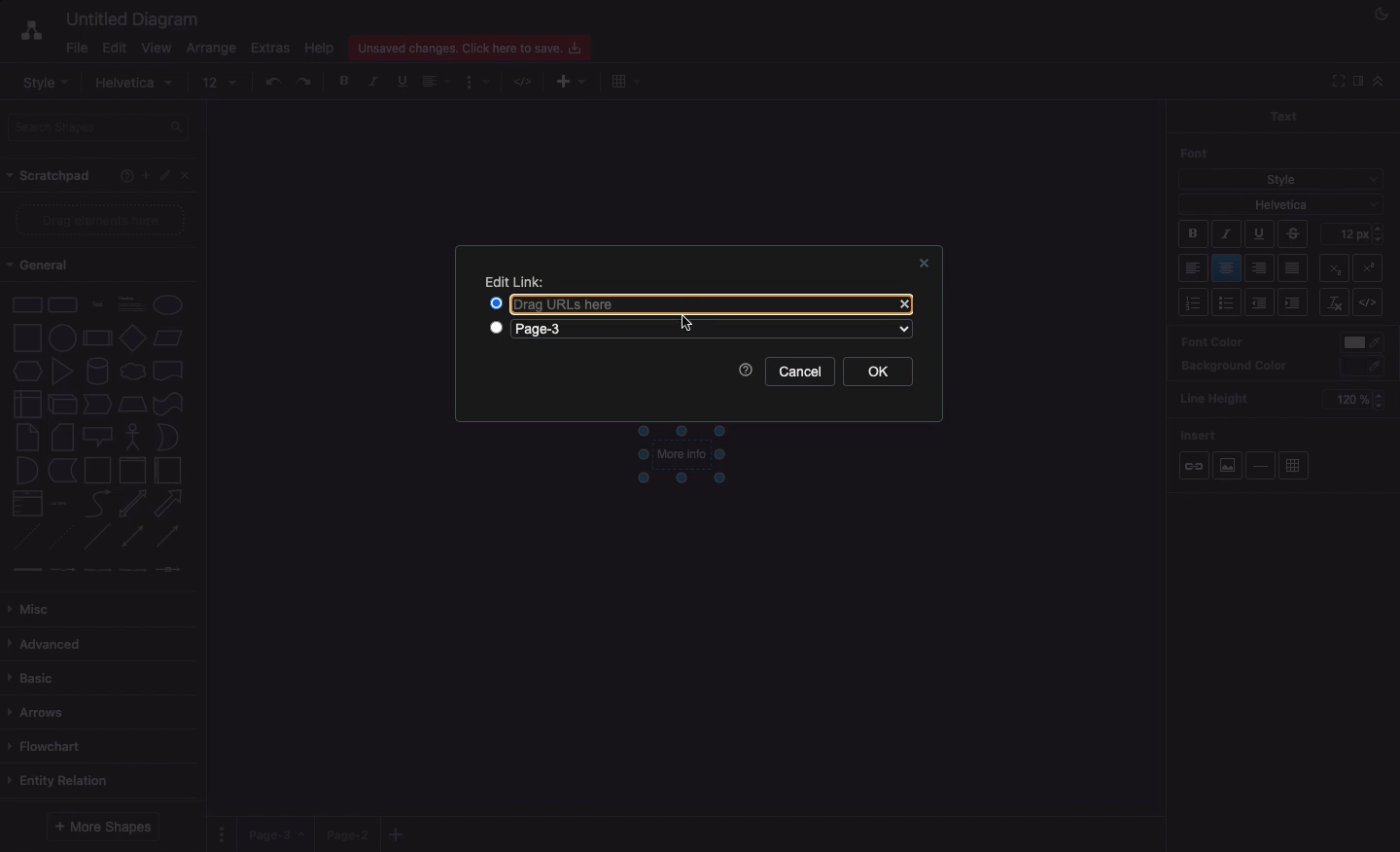 This screenshot has width=1400, height=852. I want to click on color, so click(1363, 343).